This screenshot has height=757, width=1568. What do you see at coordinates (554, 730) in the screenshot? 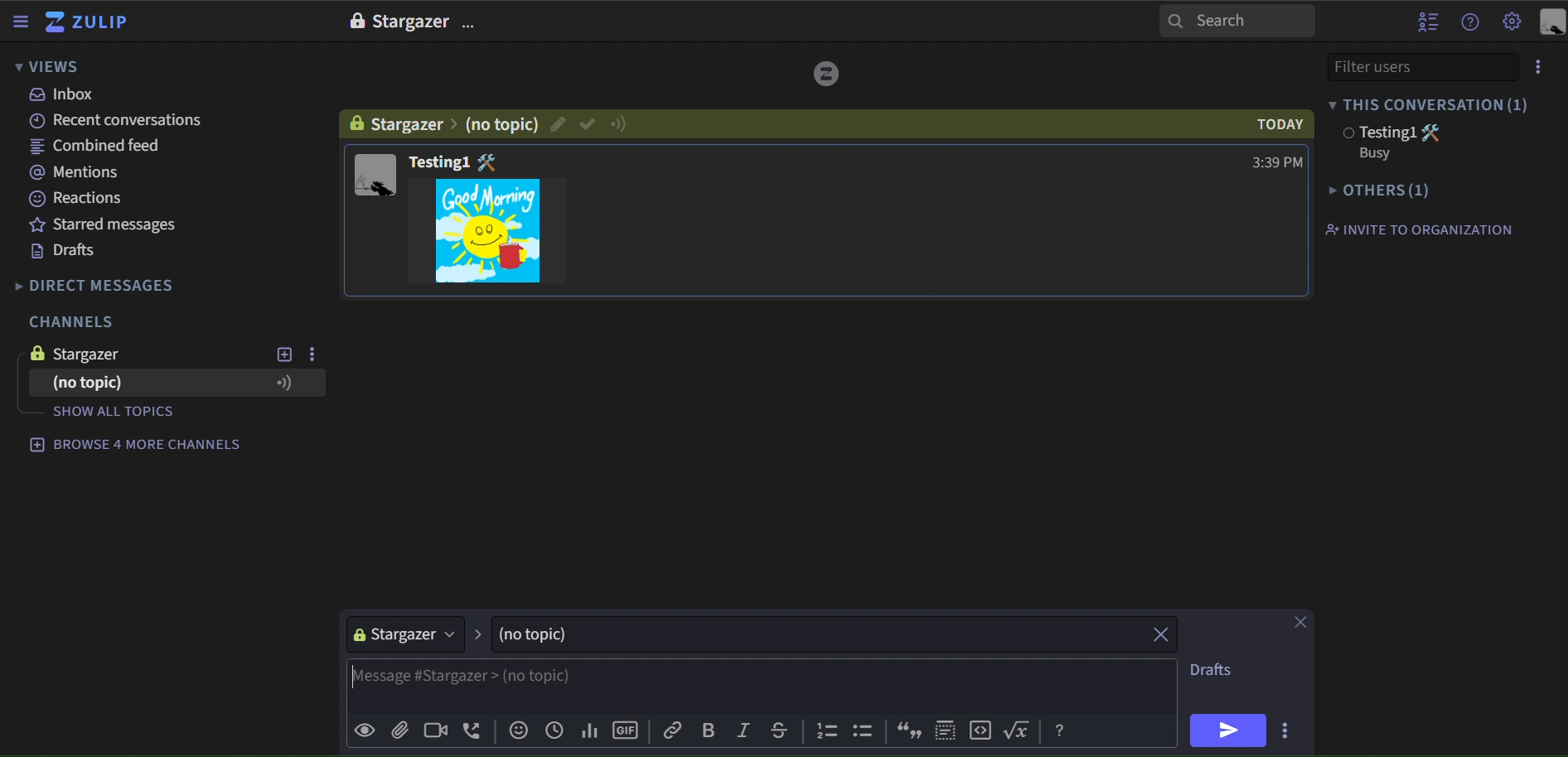
I see `add global time` at bounding box center [554, 730].